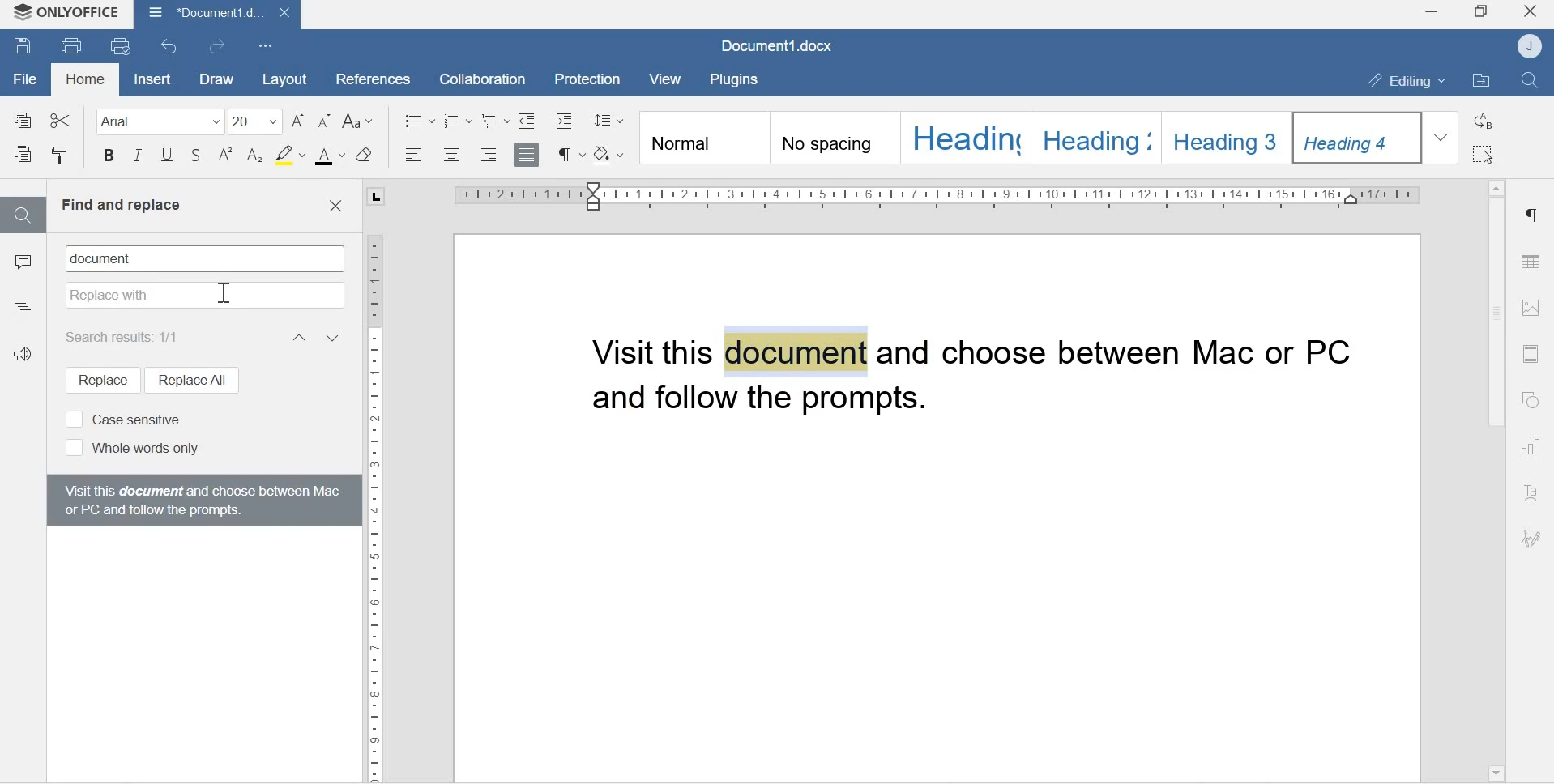  I want to click on Shading, so click(612, 152).